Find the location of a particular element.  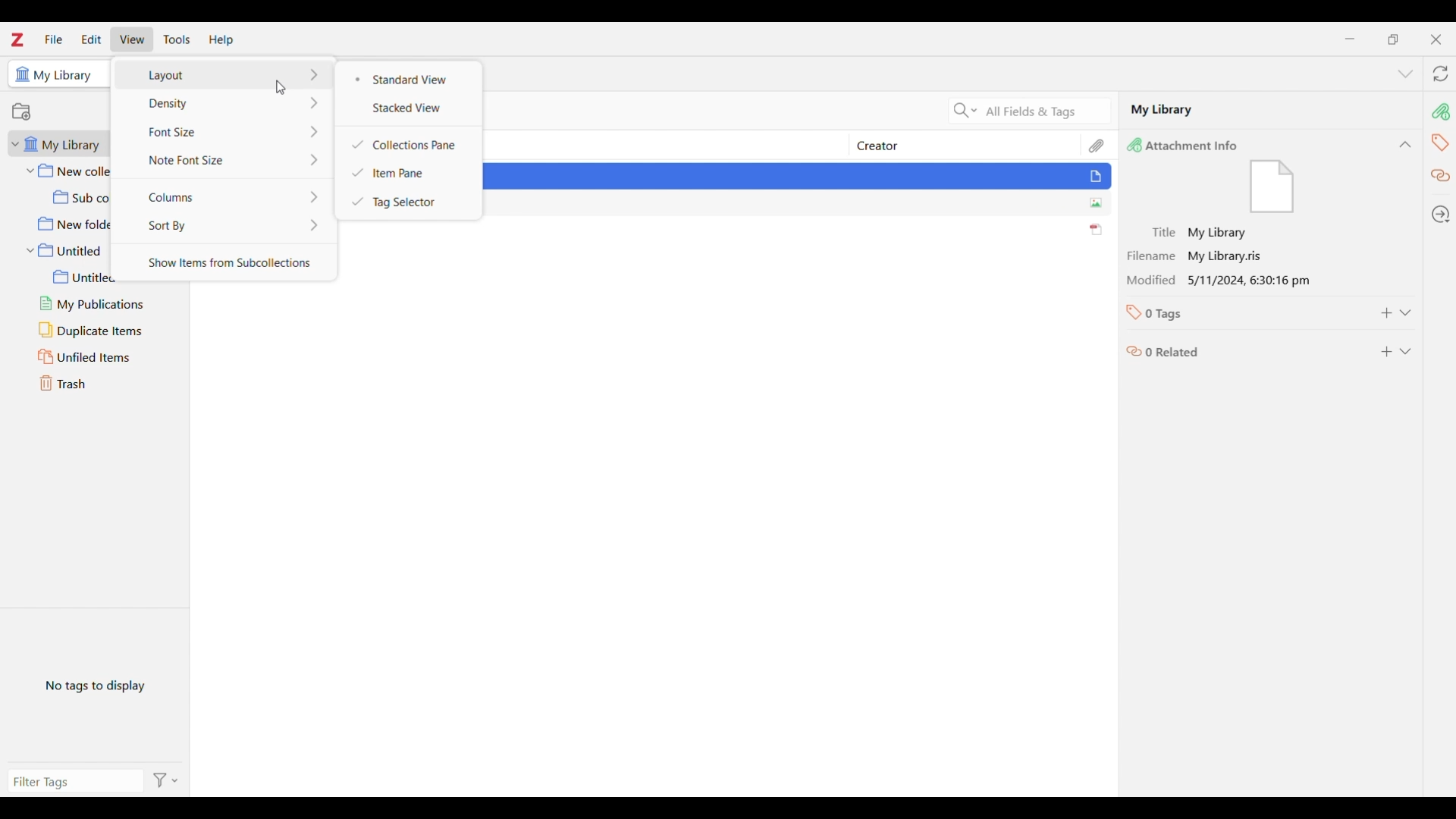

Density options is located at coordinates (224, 102).